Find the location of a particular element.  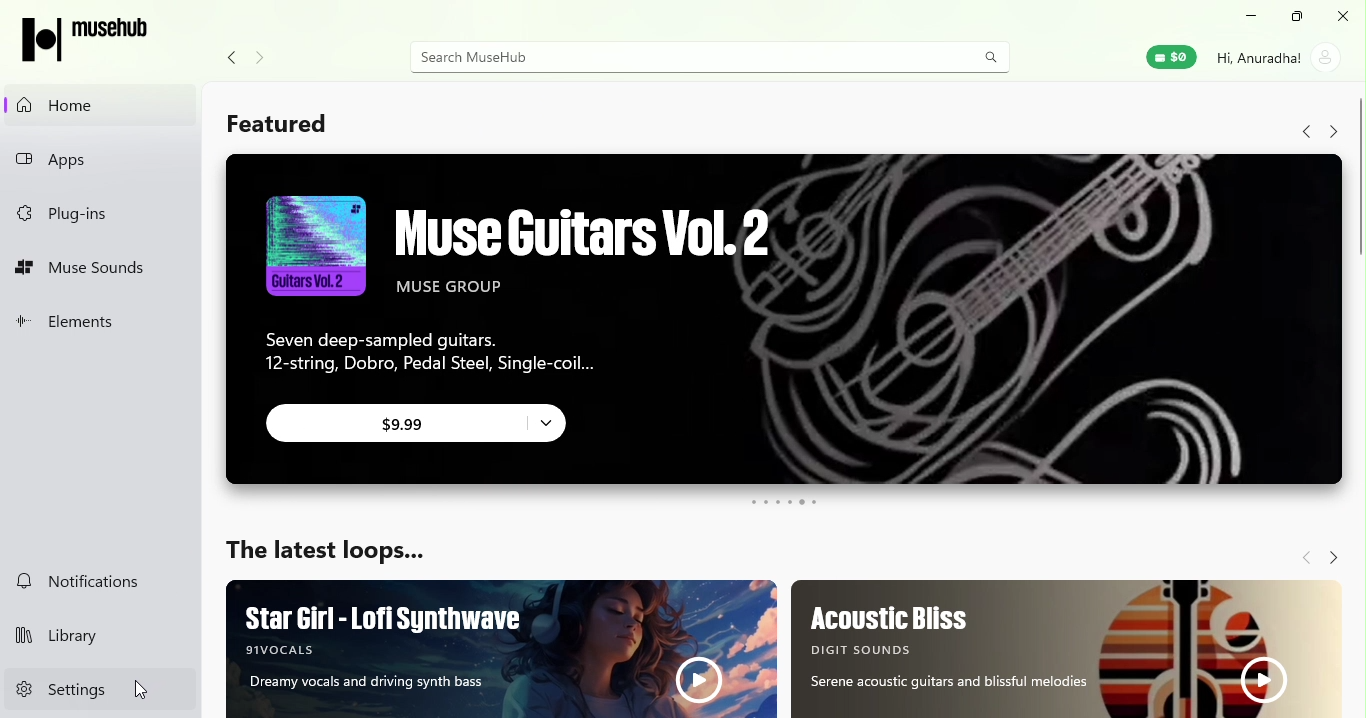

Muse sounds is located at coordinates (102, 266).